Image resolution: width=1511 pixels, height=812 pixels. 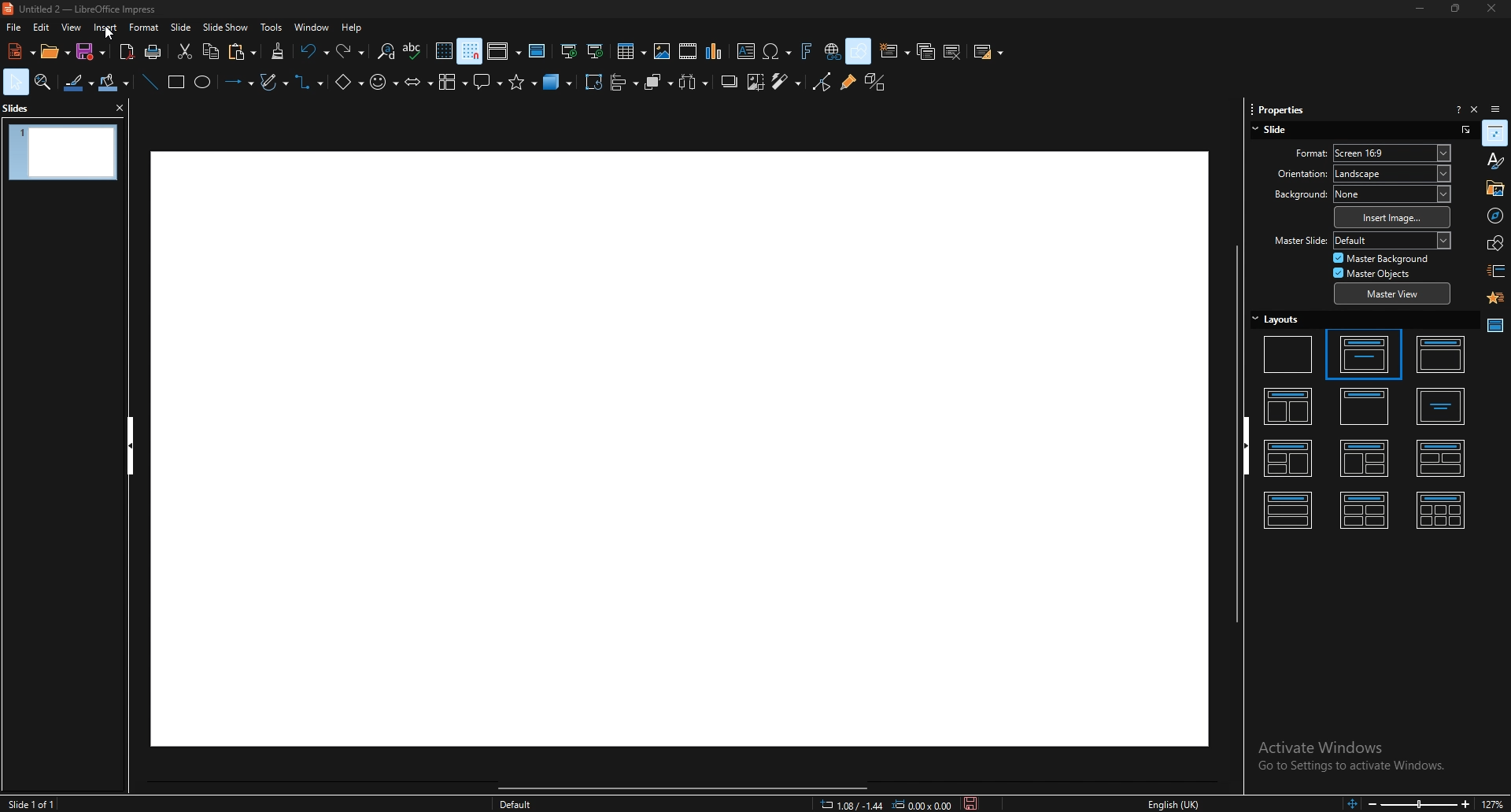 What do you see at coordinates (516, 804) in the screenshot?
I see `default` at bounding box center [516, 804].